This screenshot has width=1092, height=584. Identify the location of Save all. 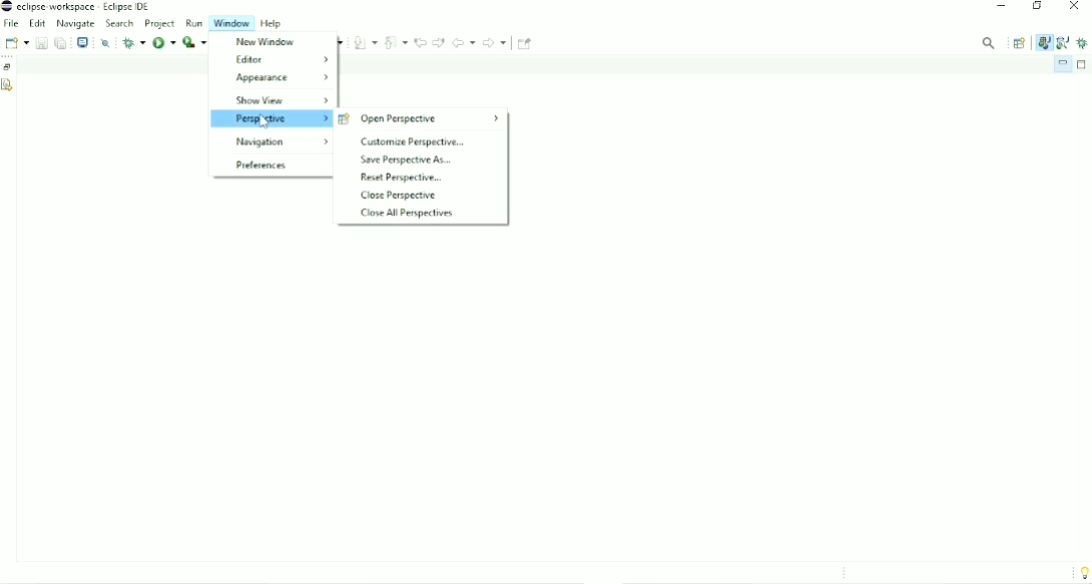
(60, 42).